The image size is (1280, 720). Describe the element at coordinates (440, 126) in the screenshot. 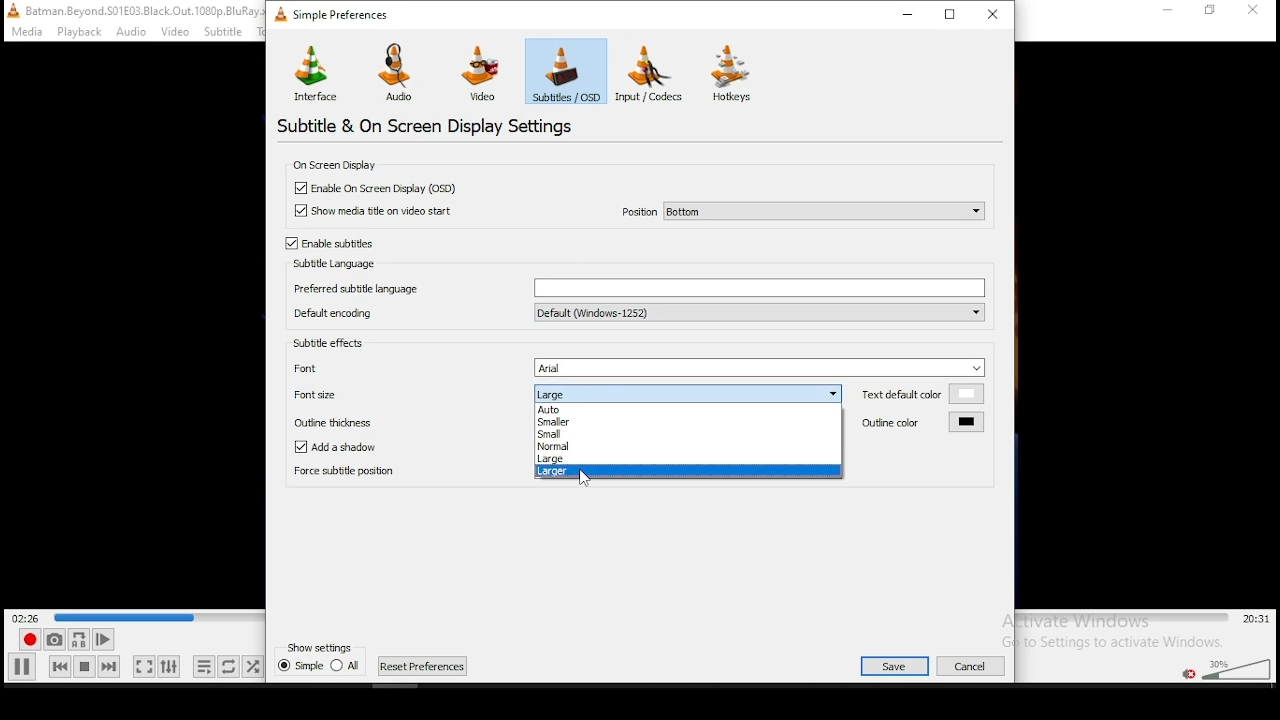

I see `subtitle and on screen display` at that location.